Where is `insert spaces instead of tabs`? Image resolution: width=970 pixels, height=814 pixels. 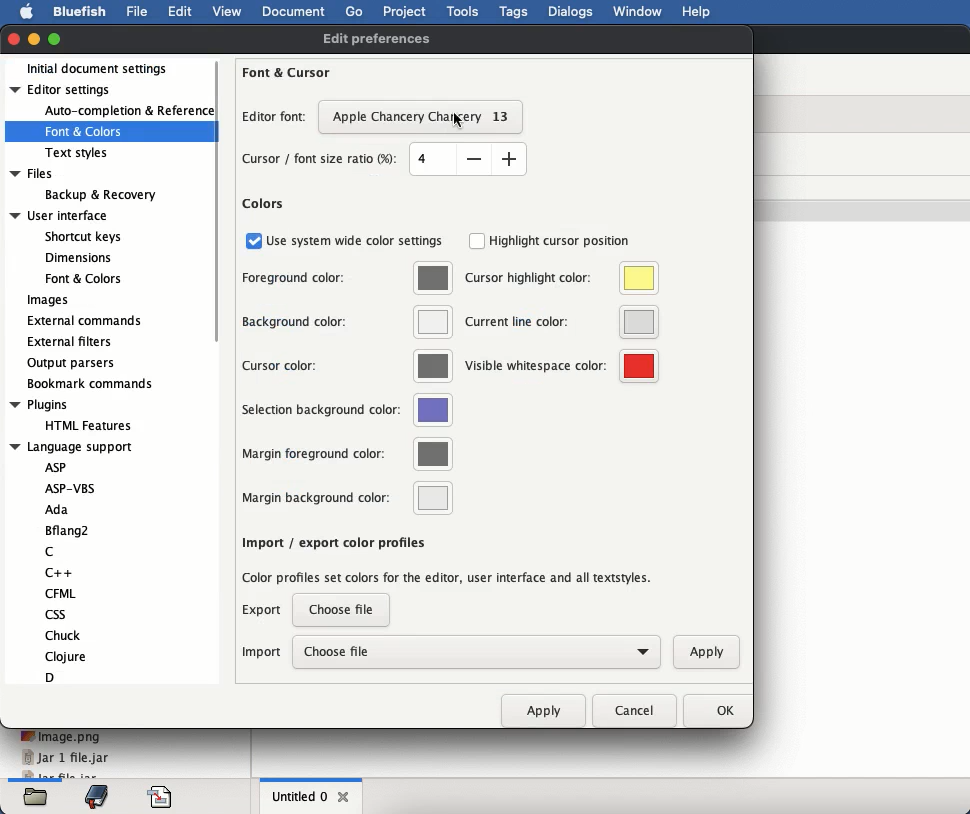
insert spaces instead of tabs is located at coordinates (344, 541).